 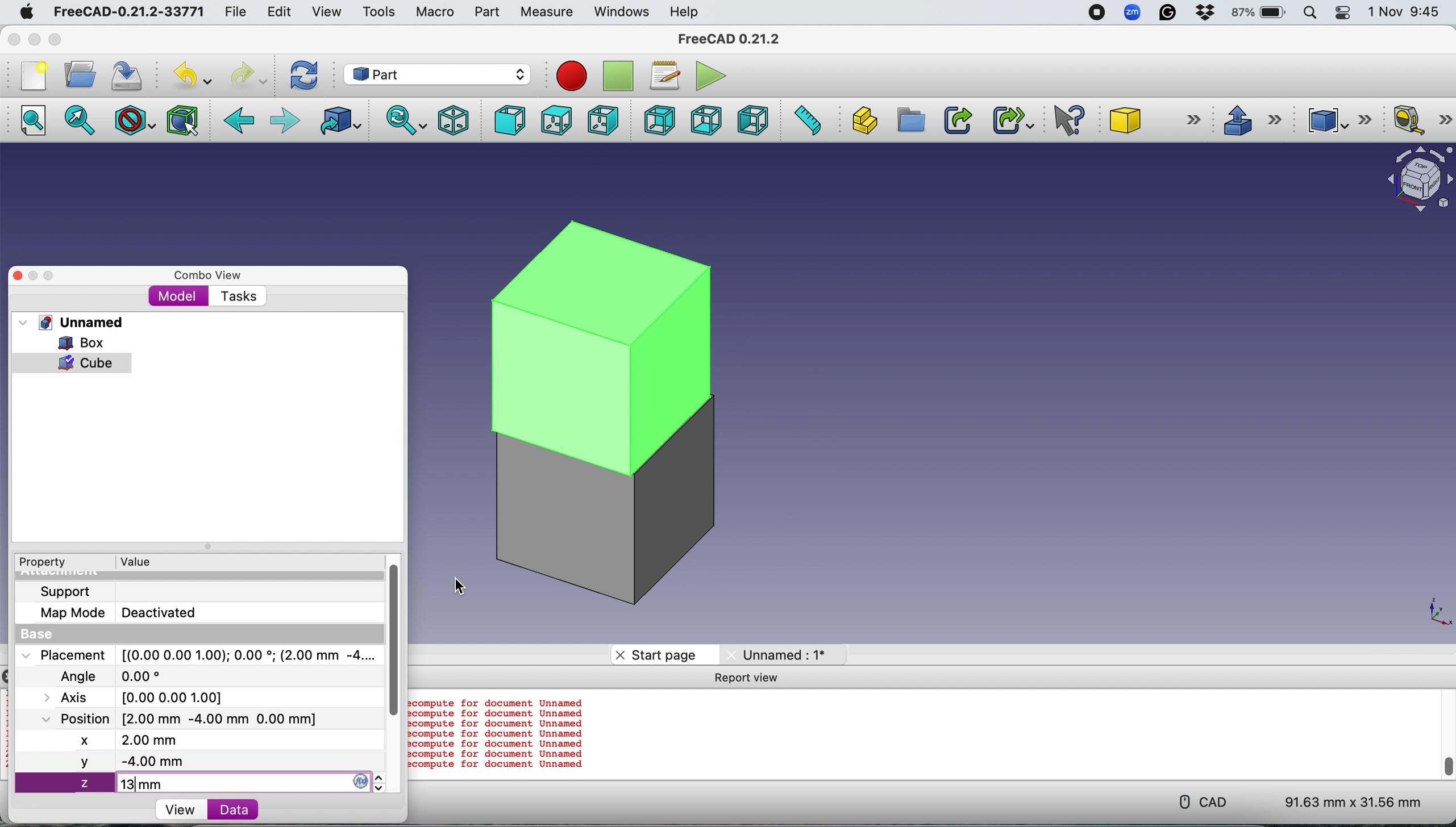 I want to click on Edit, so click(x=277, y=12).